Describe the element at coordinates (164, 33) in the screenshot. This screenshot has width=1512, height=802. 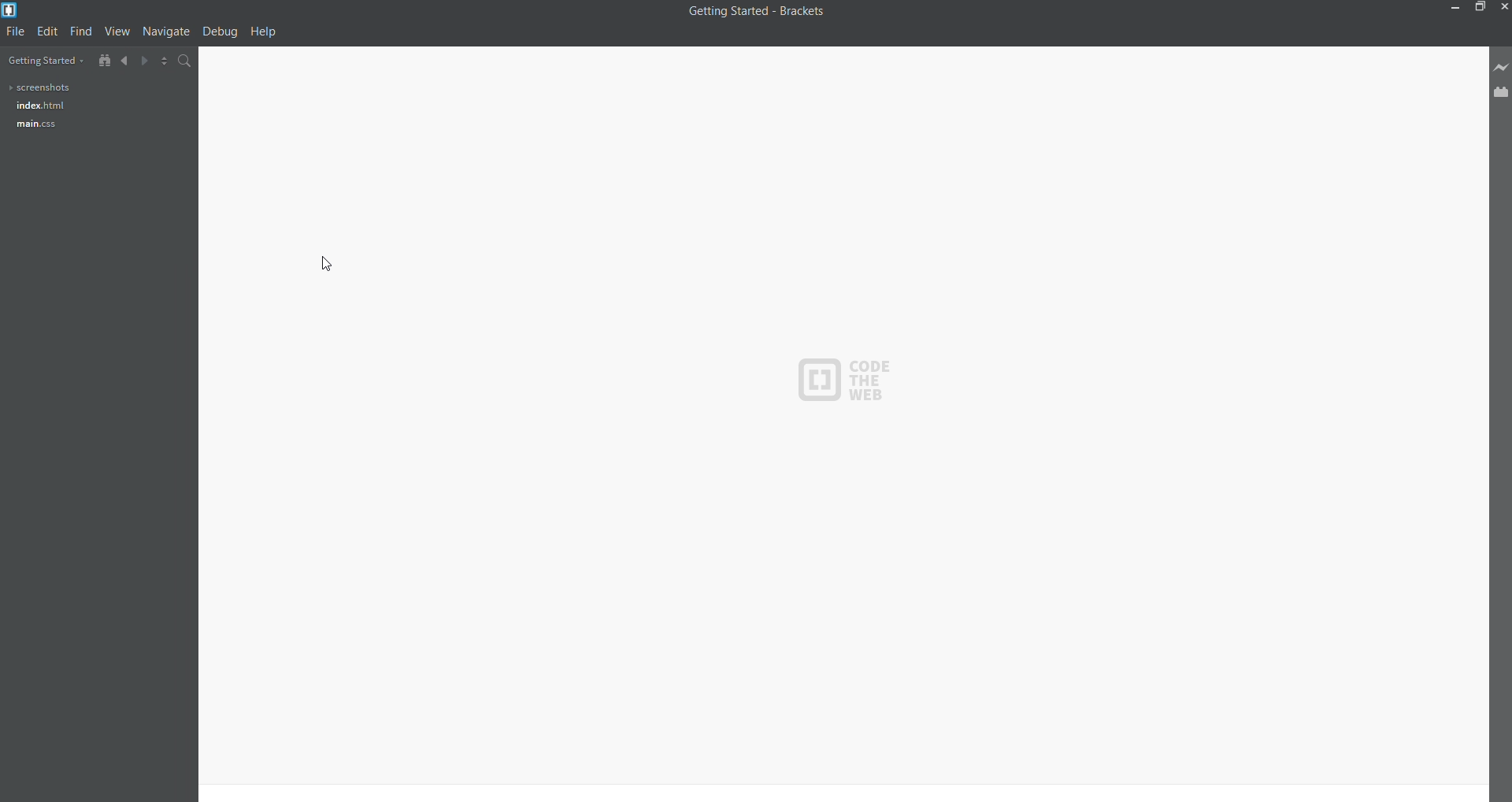
I see `navigate` at that location.